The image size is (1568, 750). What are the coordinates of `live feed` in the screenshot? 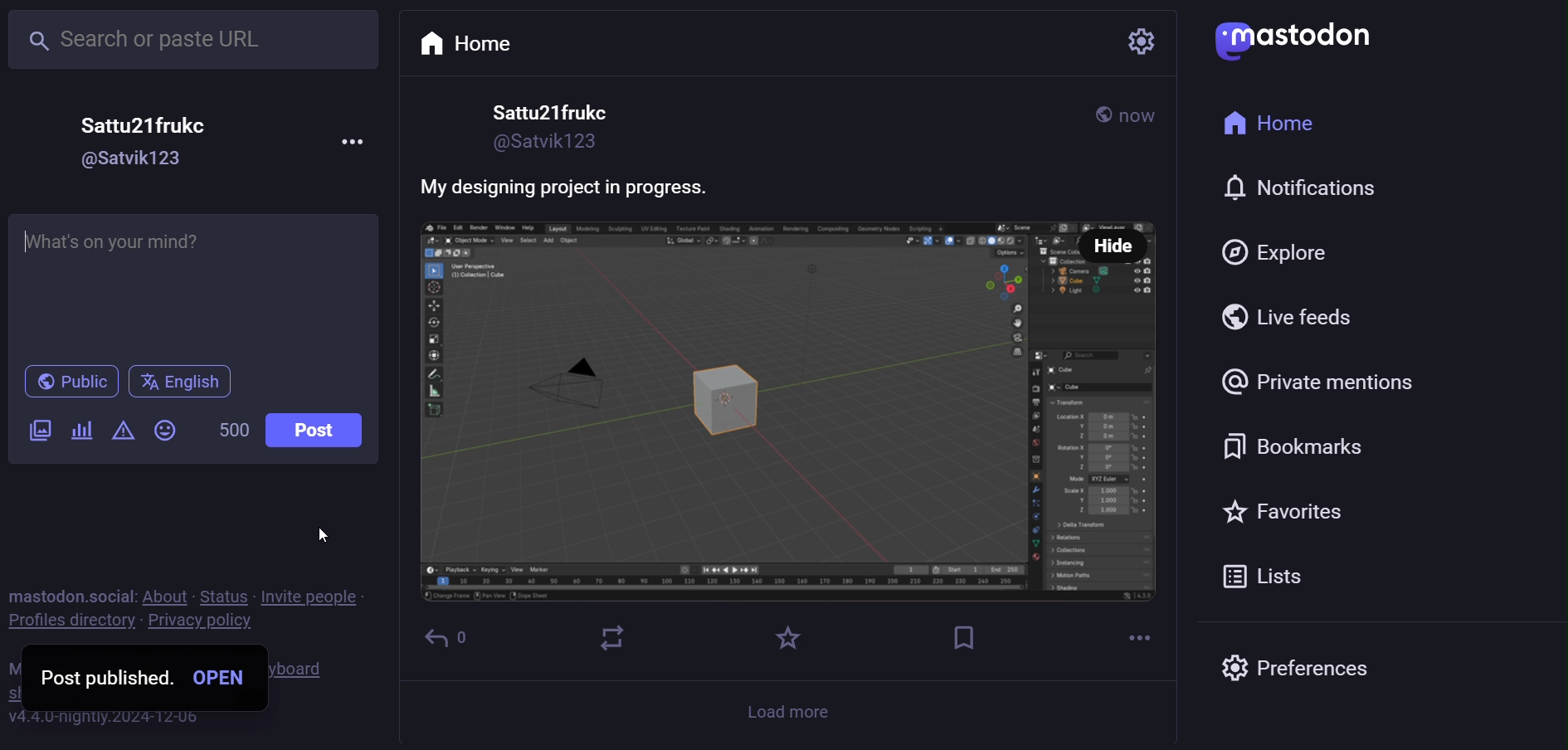 It's located at (1283, 319).